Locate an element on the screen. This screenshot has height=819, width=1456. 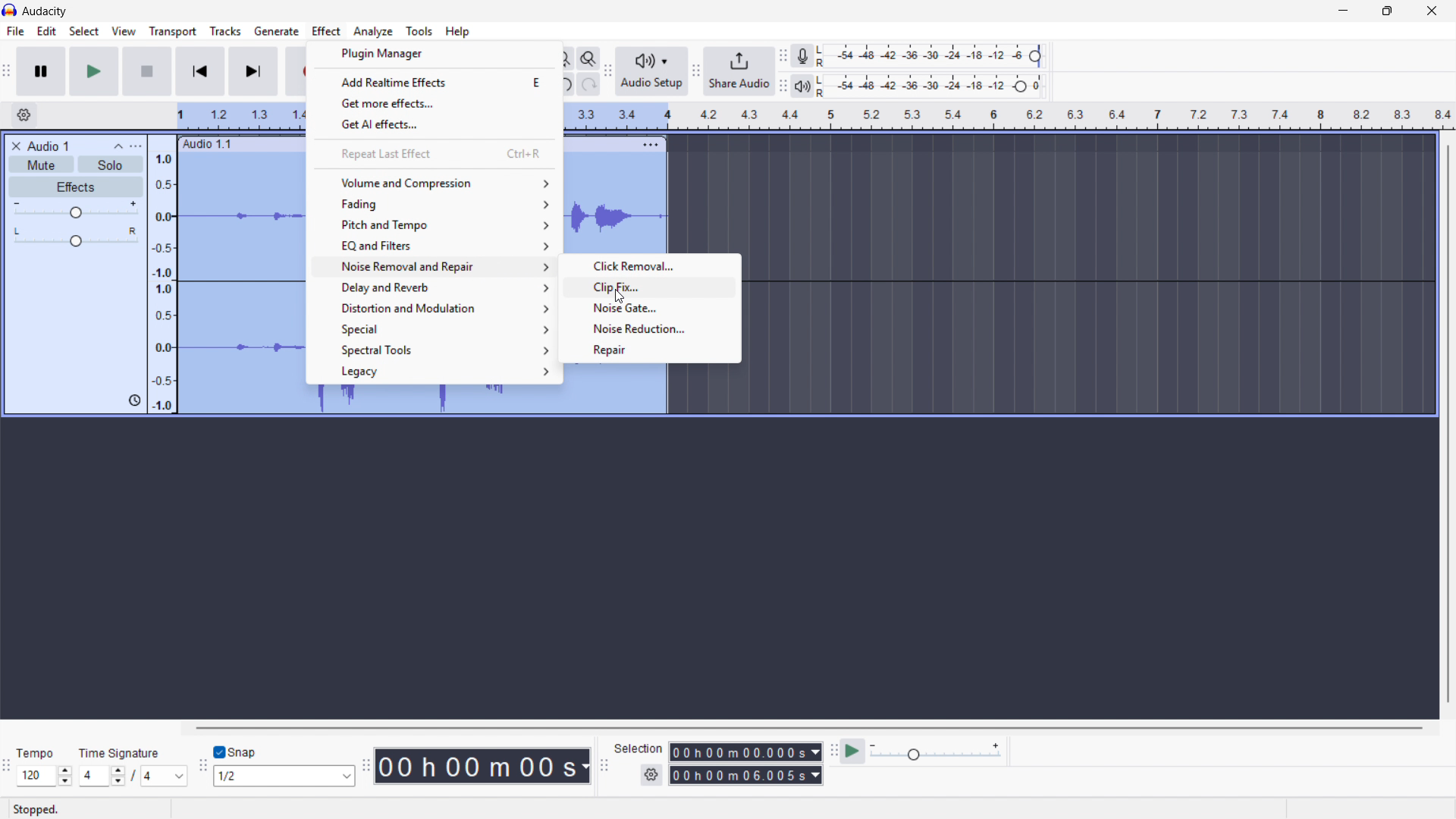
Skip to start  is located at coordinates (199, 71).